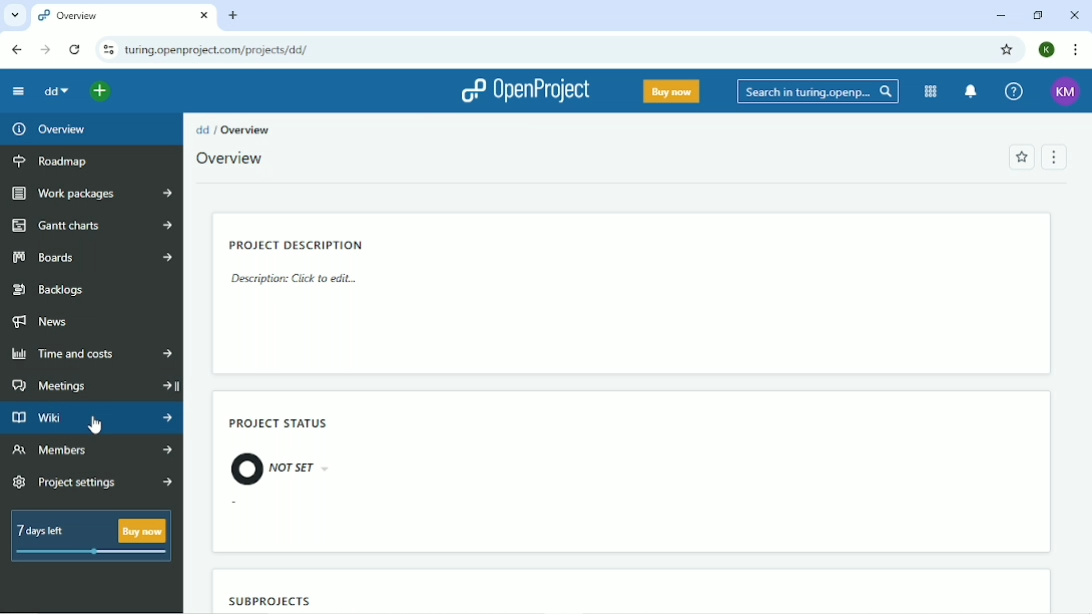  What do you see at coordinates (101, 93) in the screenshot?
I see `Open quick add menu` at bounding box center [101, 93].